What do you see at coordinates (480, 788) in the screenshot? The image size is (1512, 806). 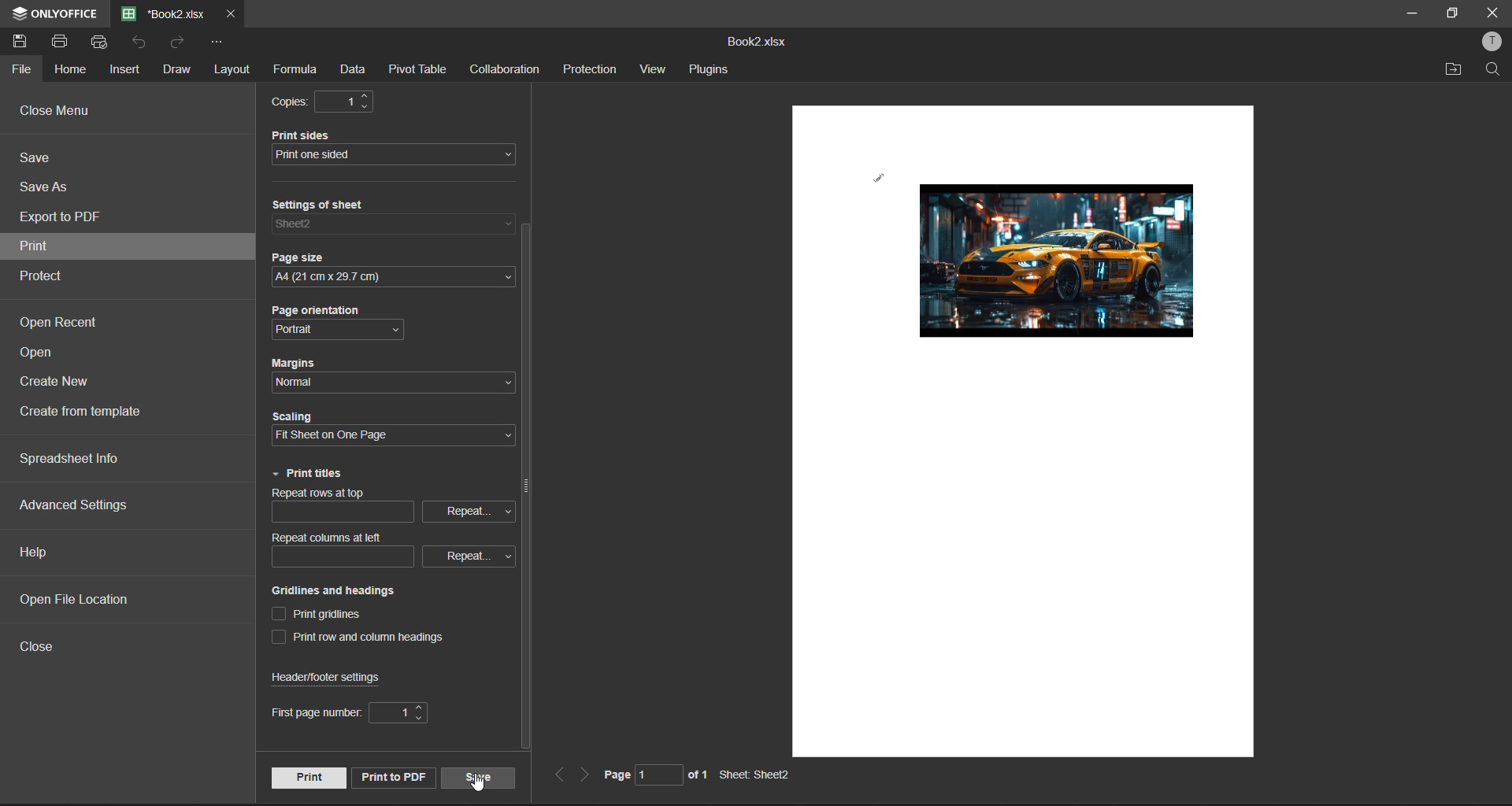 I see `cursor` at bounding box center [480, 788].